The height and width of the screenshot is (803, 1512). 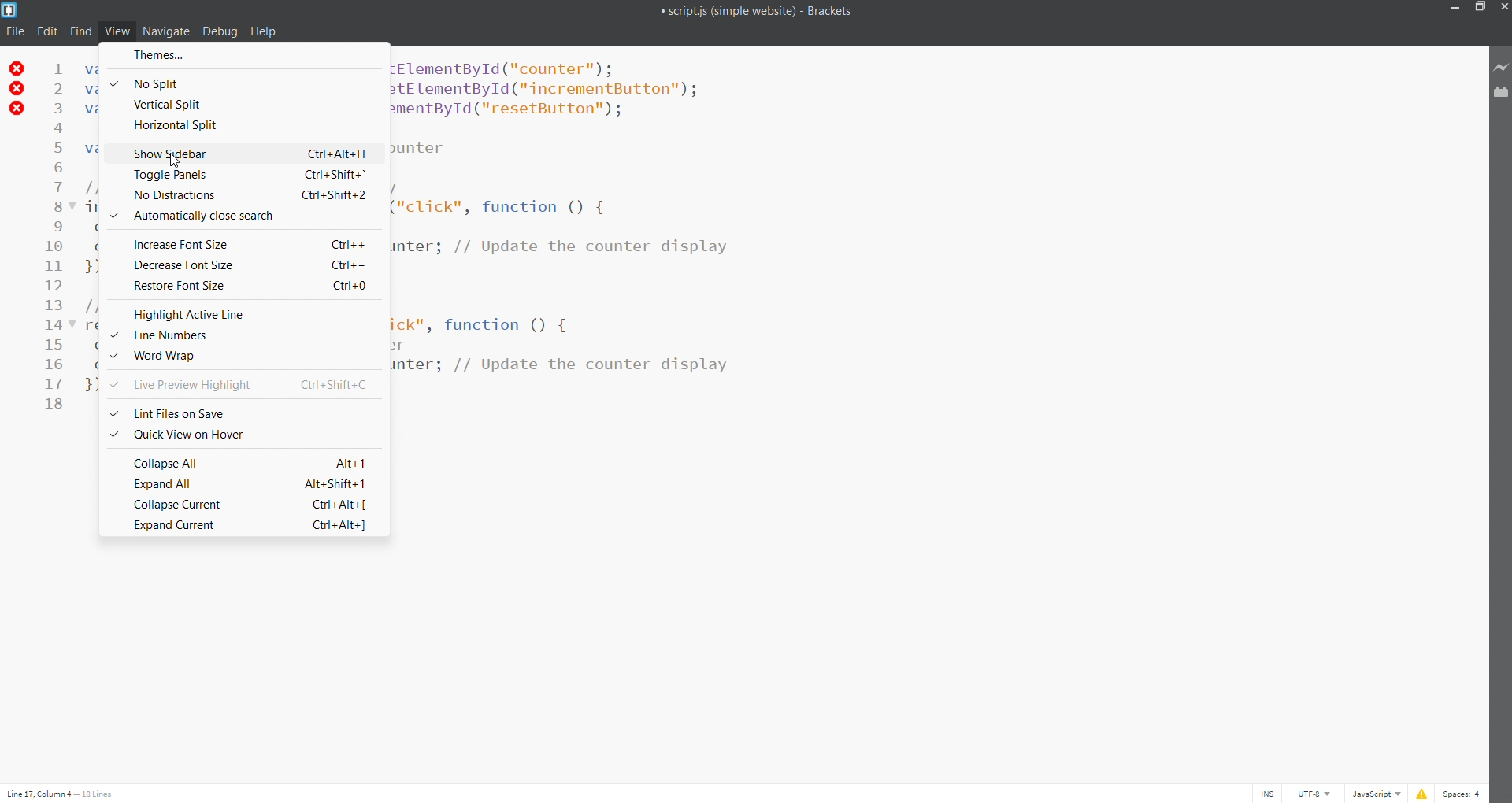 What do you see at coordinates (82, 31) in the screenshot?
I see `find` at bounding box center [82, 31].